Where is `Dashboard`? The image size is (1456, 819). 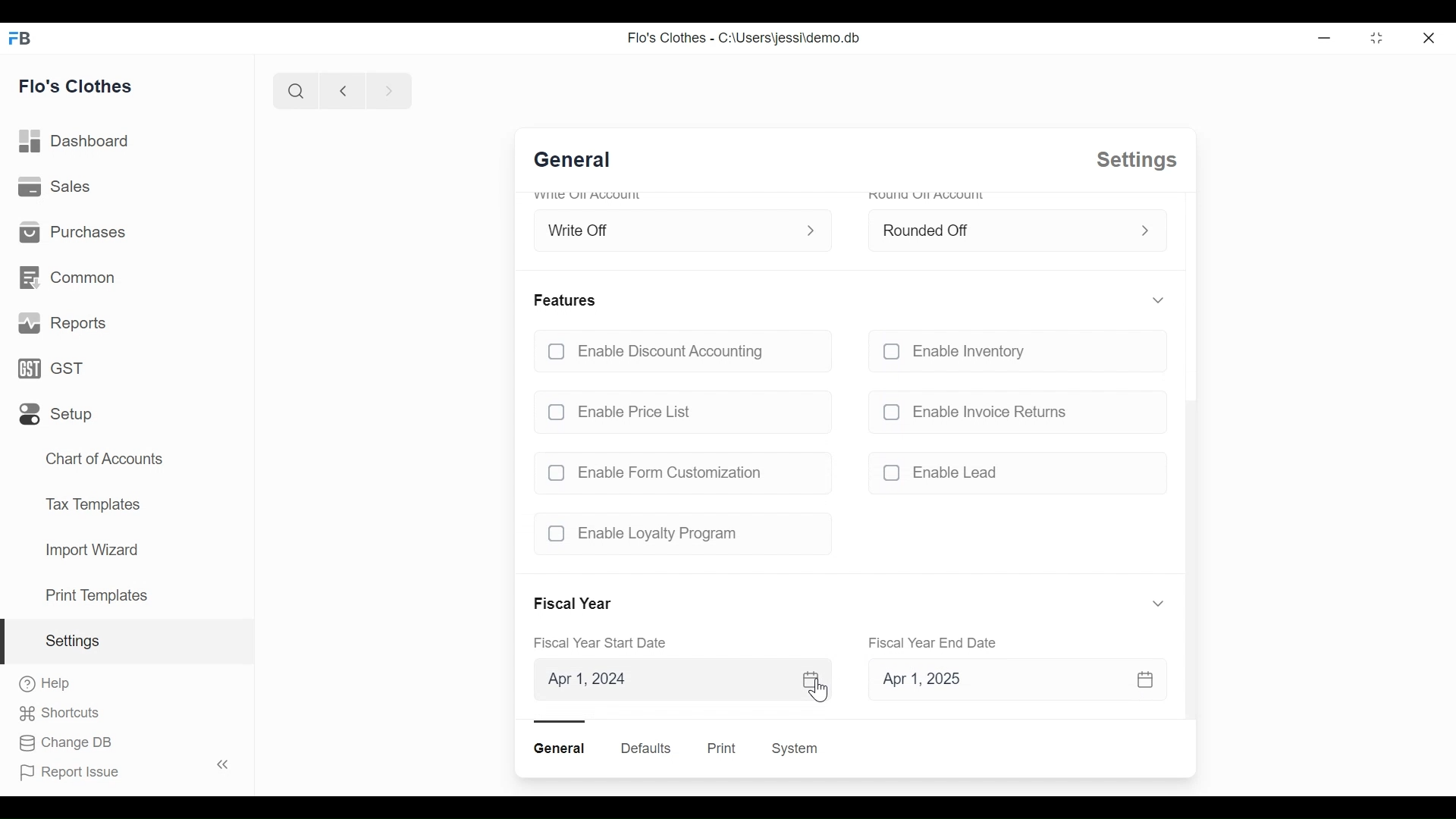 Dashboard is located at coordinates (74, 142).